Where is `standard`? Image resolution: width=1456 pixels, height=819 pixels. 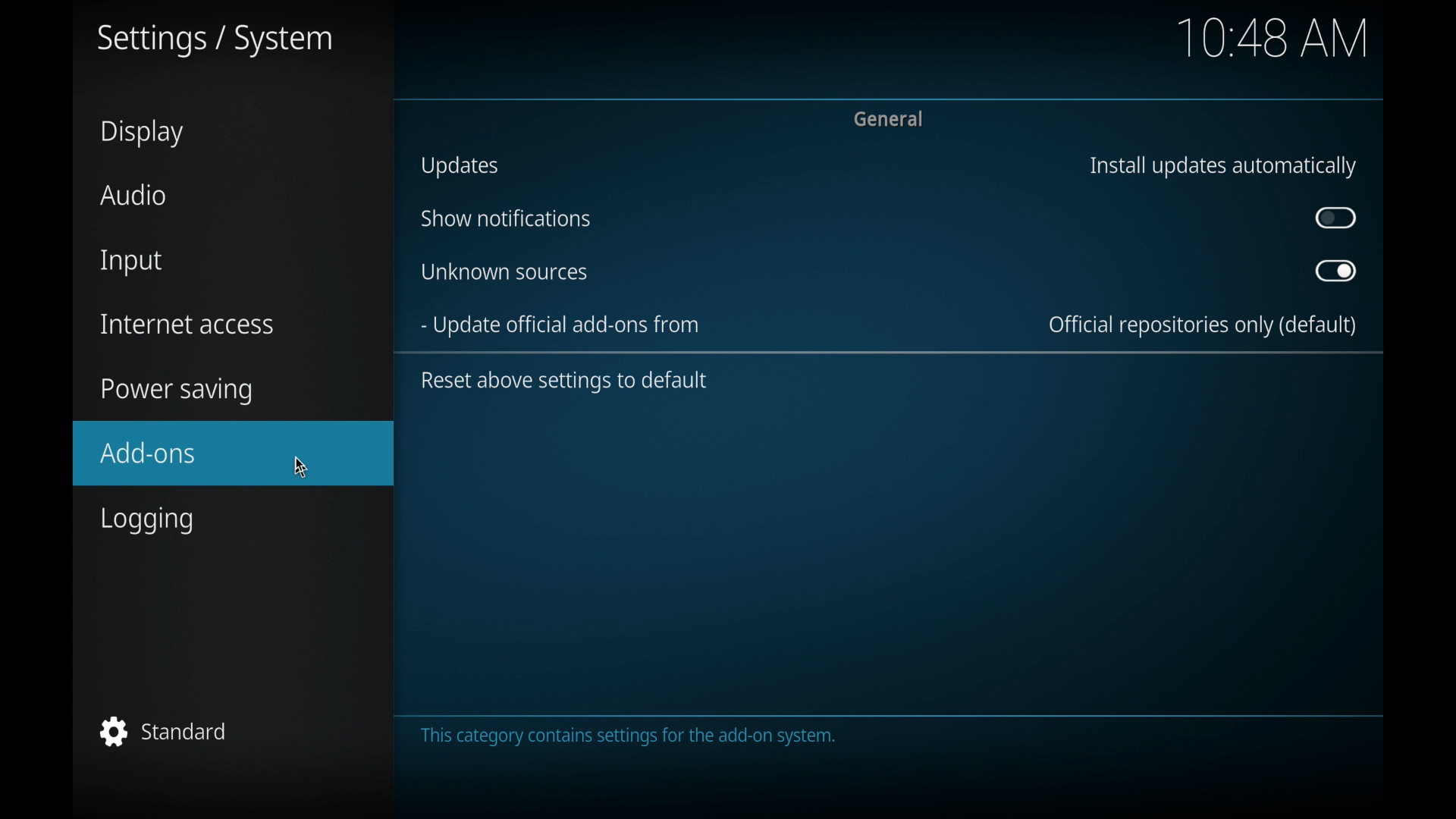 standard is located at coordinates (162, 731).